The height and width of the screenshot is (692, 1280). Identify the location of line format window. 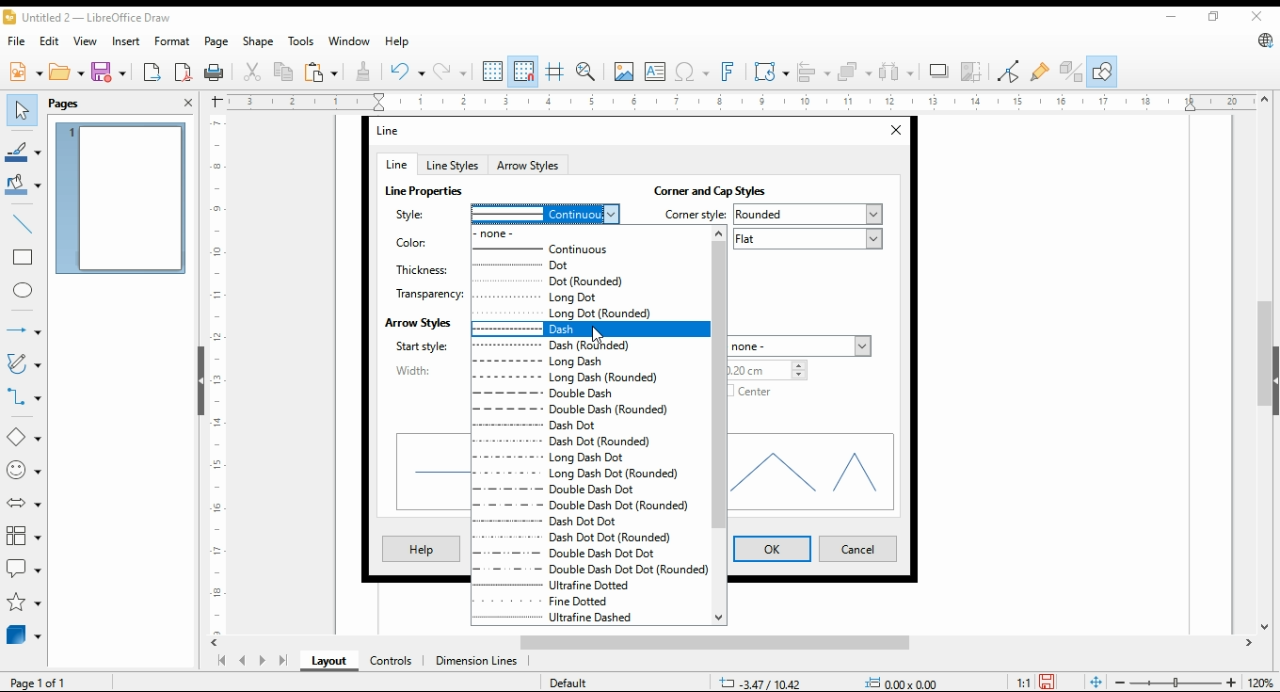
(396, 130).